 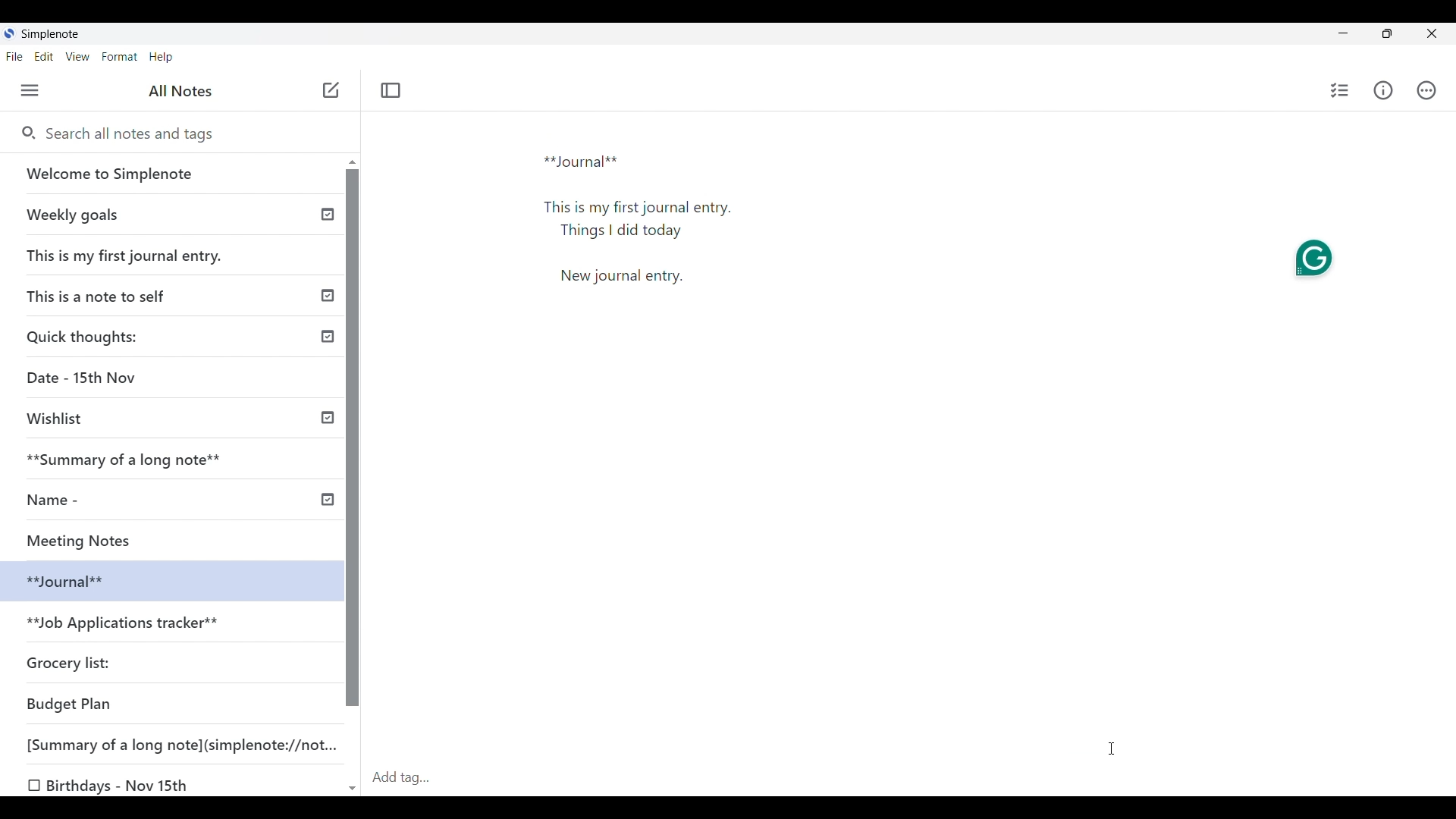 I want to click on Quick slide to bottom, so click(x=353, y=789).